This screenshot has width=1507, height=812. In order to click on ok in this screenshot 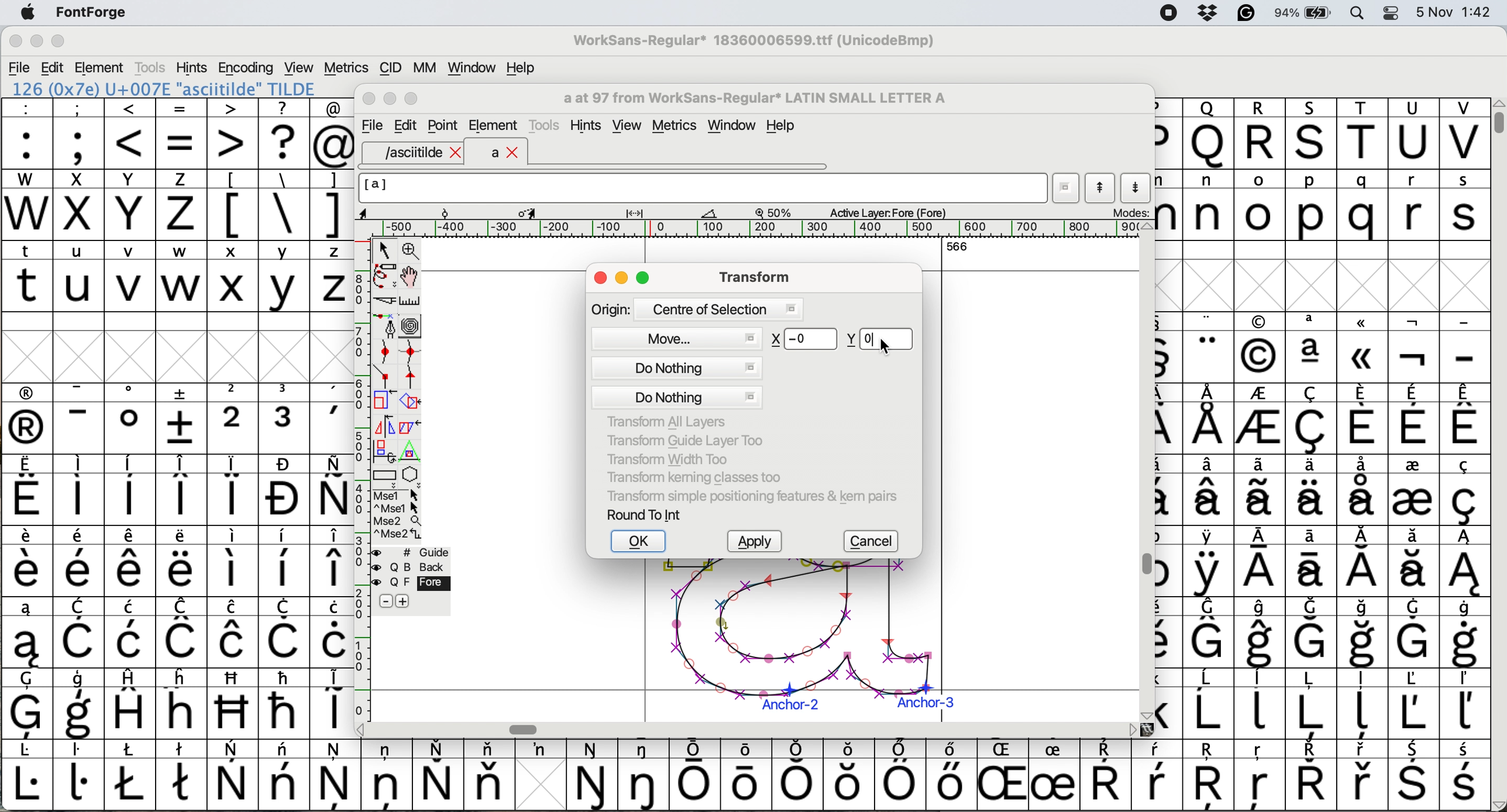, I will do `click(640, 542)`.